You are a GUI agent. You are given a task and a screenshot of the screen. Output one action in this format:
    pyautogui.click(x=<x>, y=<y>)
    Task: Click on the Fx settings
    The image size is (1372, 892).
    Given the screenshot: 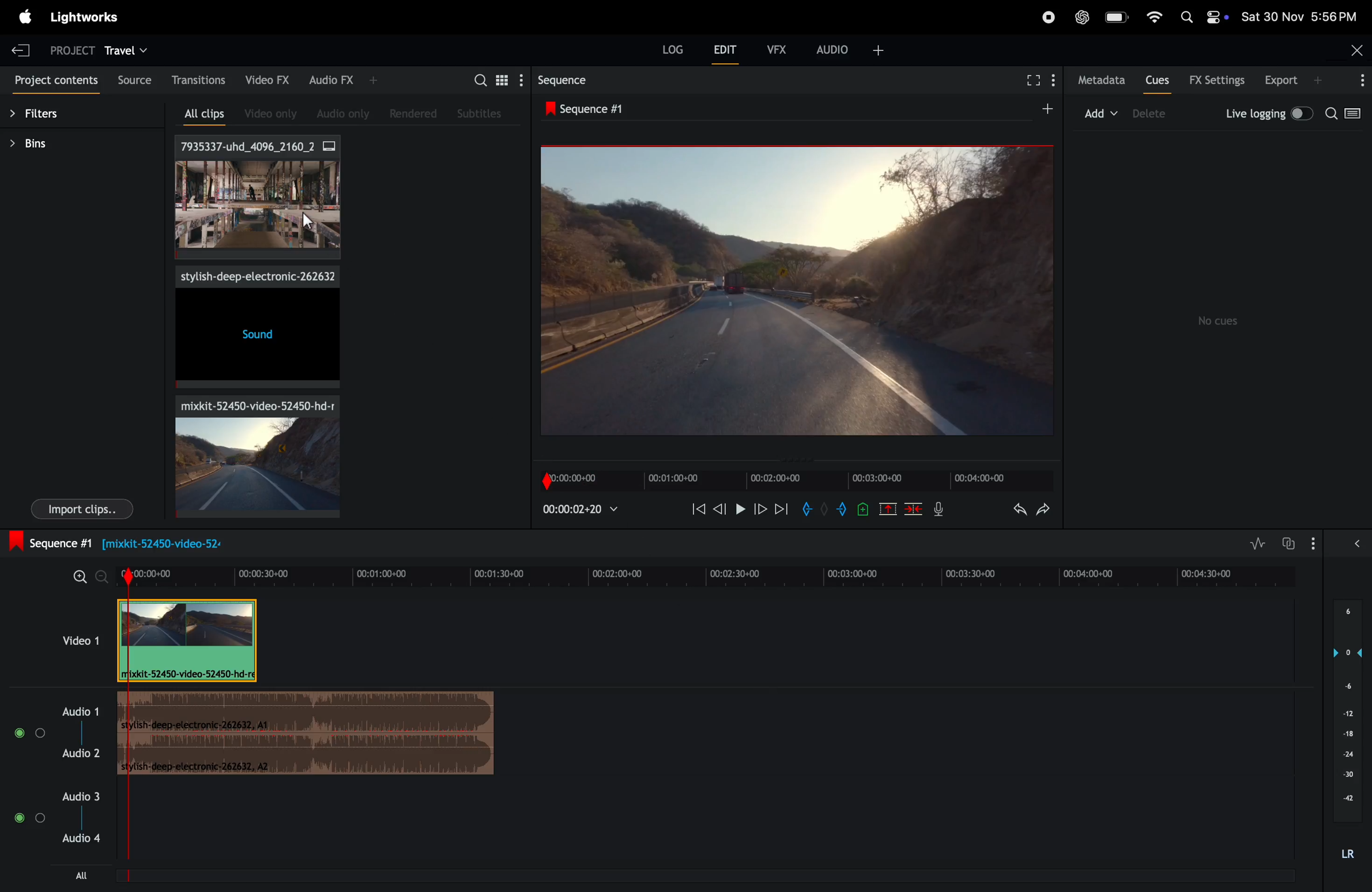 What is the action you would take?
    pyautogui.click(x=1217, y=81)
    